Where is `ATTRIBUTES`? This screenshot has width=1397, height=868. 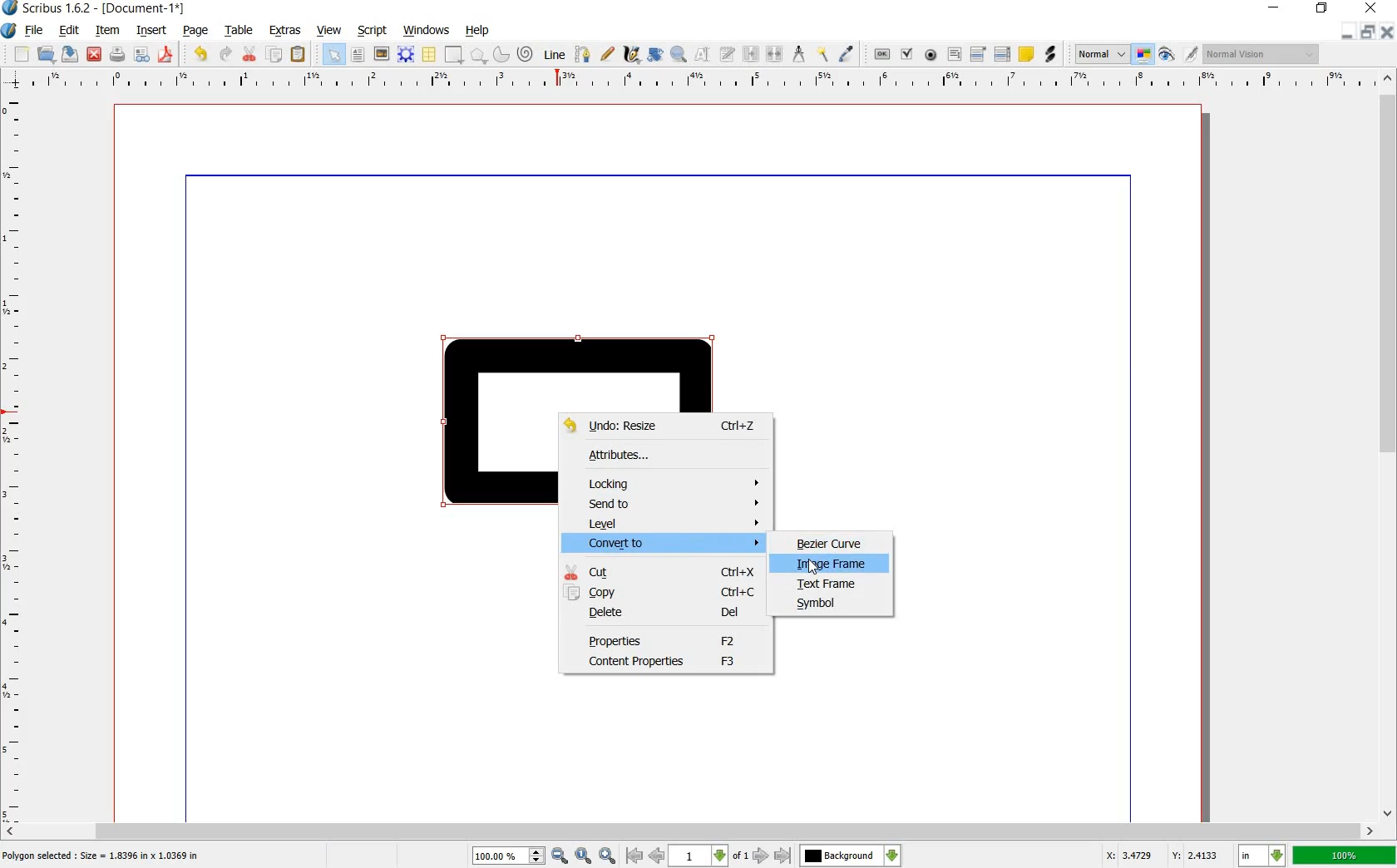 ATTRIBUTES is located at coordinates (648, 458).